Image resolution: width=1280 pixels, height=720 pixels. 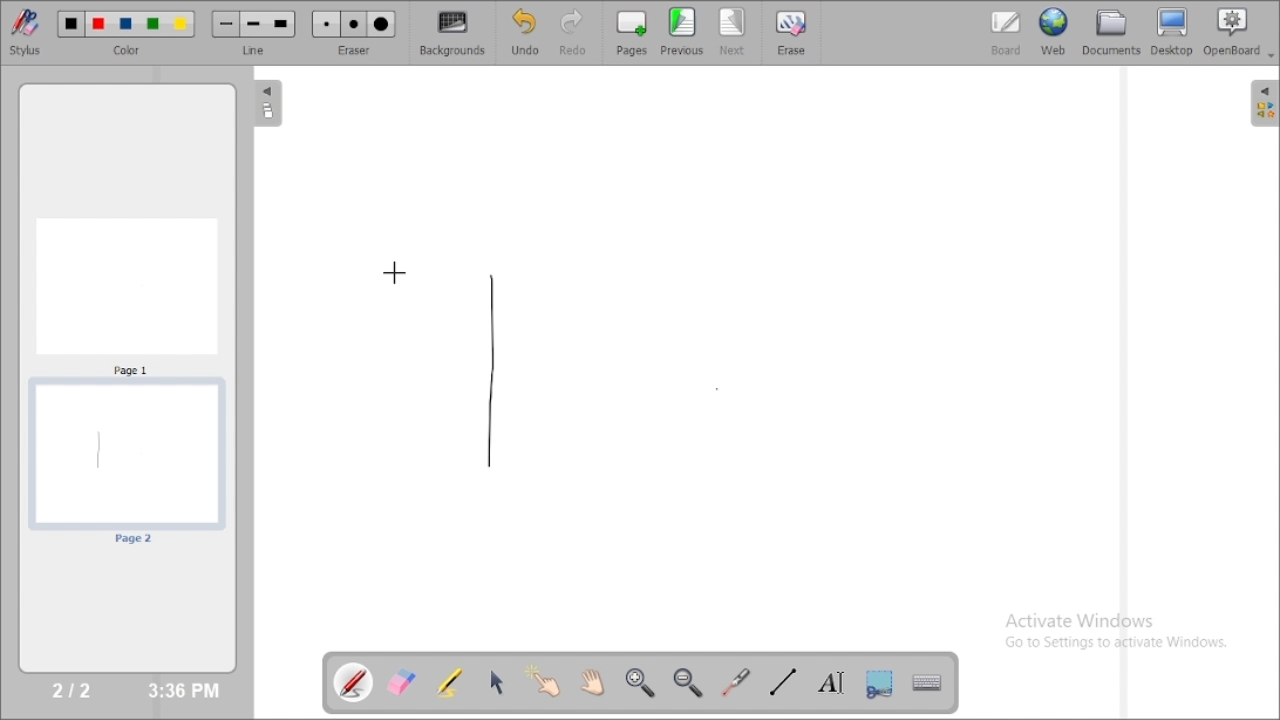 I want to click on Medium eraser, so click(x=354, y=25).